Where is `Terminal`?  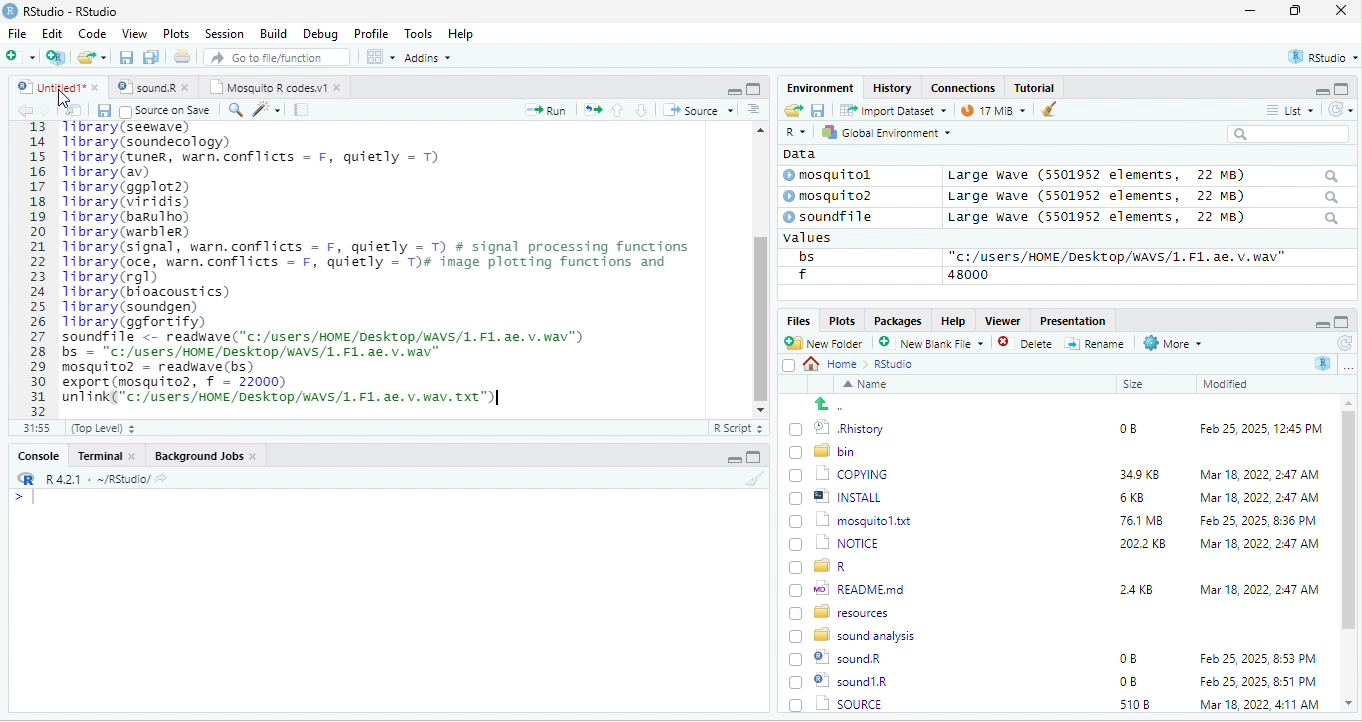 Terminal is located at coordinates (107, 455).